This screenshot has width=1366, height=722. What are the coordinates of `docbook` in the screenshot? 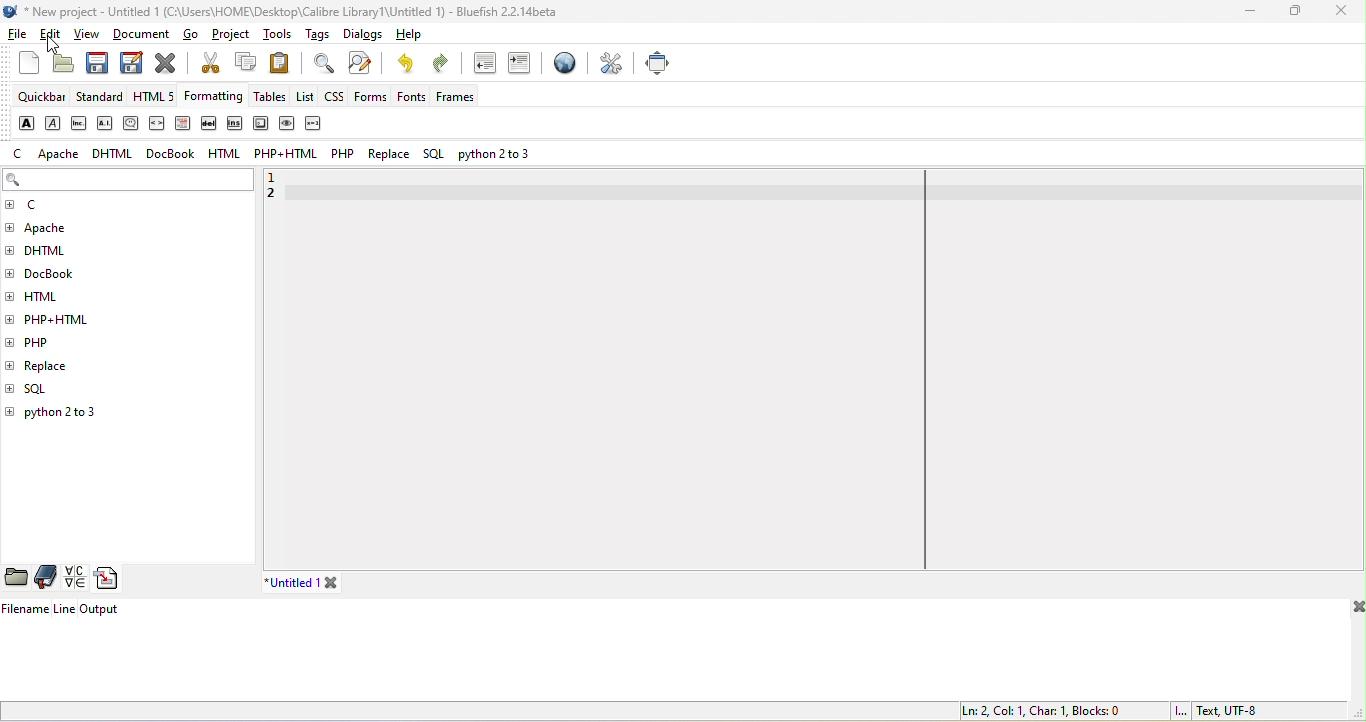 It's located at (174, 154).